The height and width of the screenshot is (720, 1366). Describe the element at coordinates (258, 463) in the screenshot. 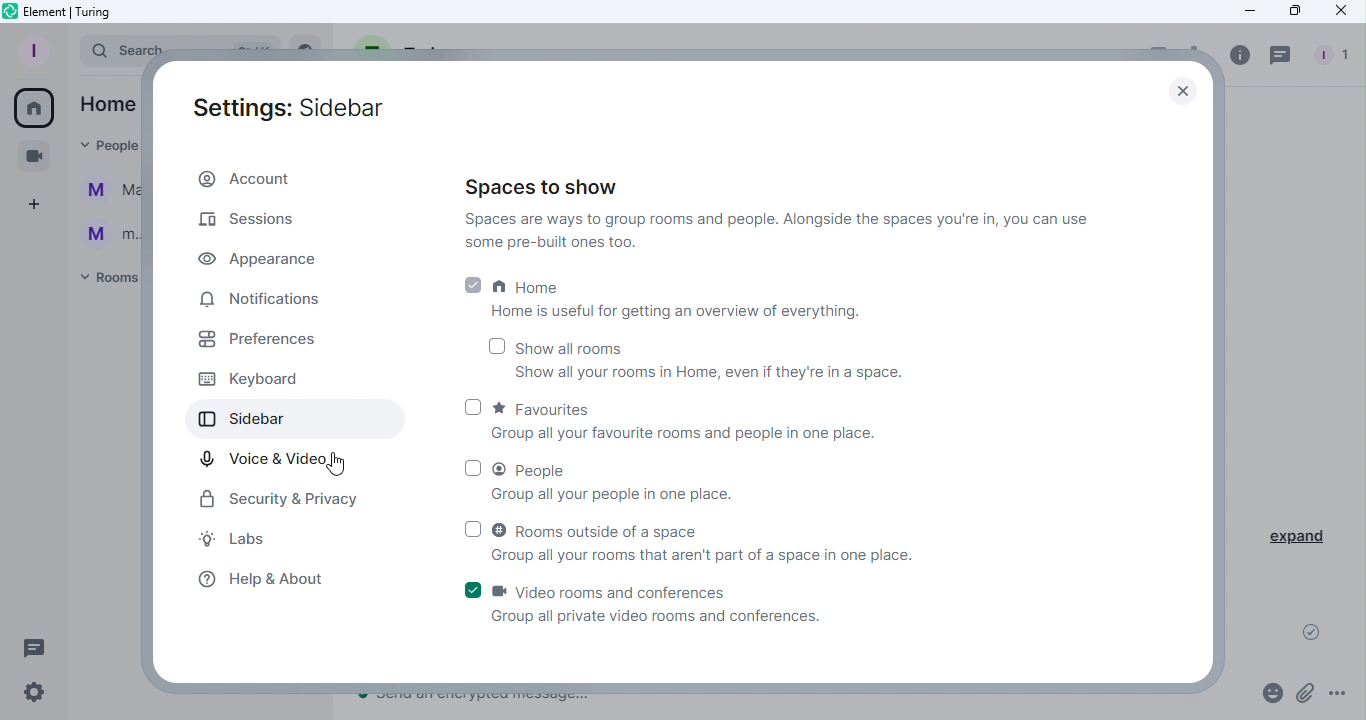

I see `Voice and Video` at that location.